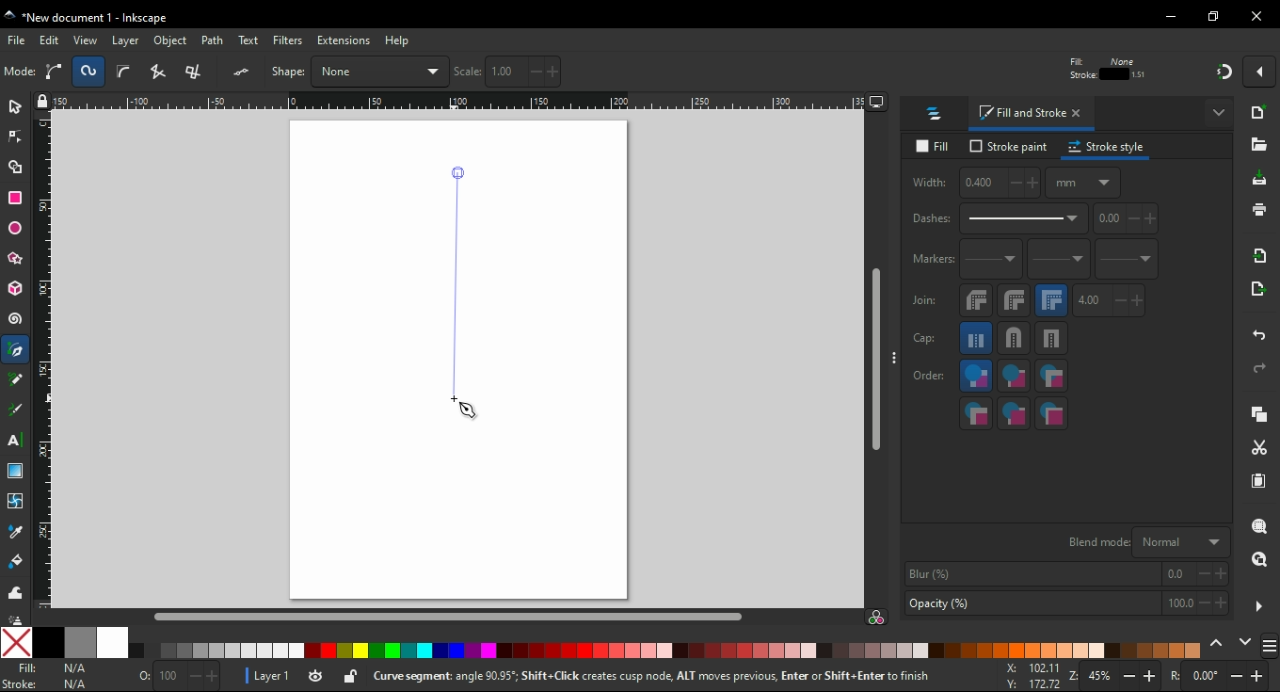  Describe the element at coordinates (50, 40) in the screenshot. I see `edit` at that location.